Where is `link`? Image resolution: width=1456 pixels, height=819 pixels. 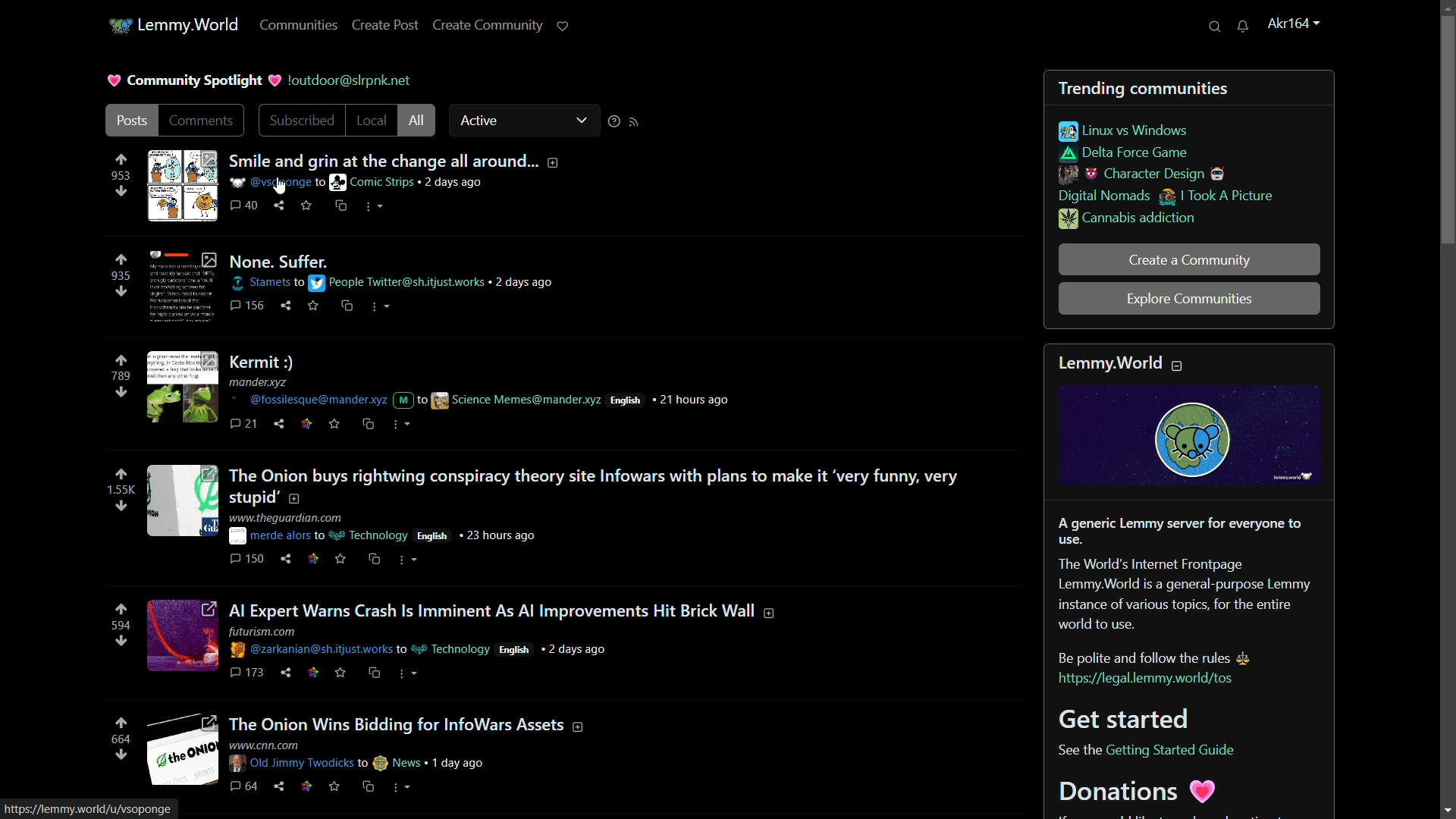
link is located at coordinates (307, 787).